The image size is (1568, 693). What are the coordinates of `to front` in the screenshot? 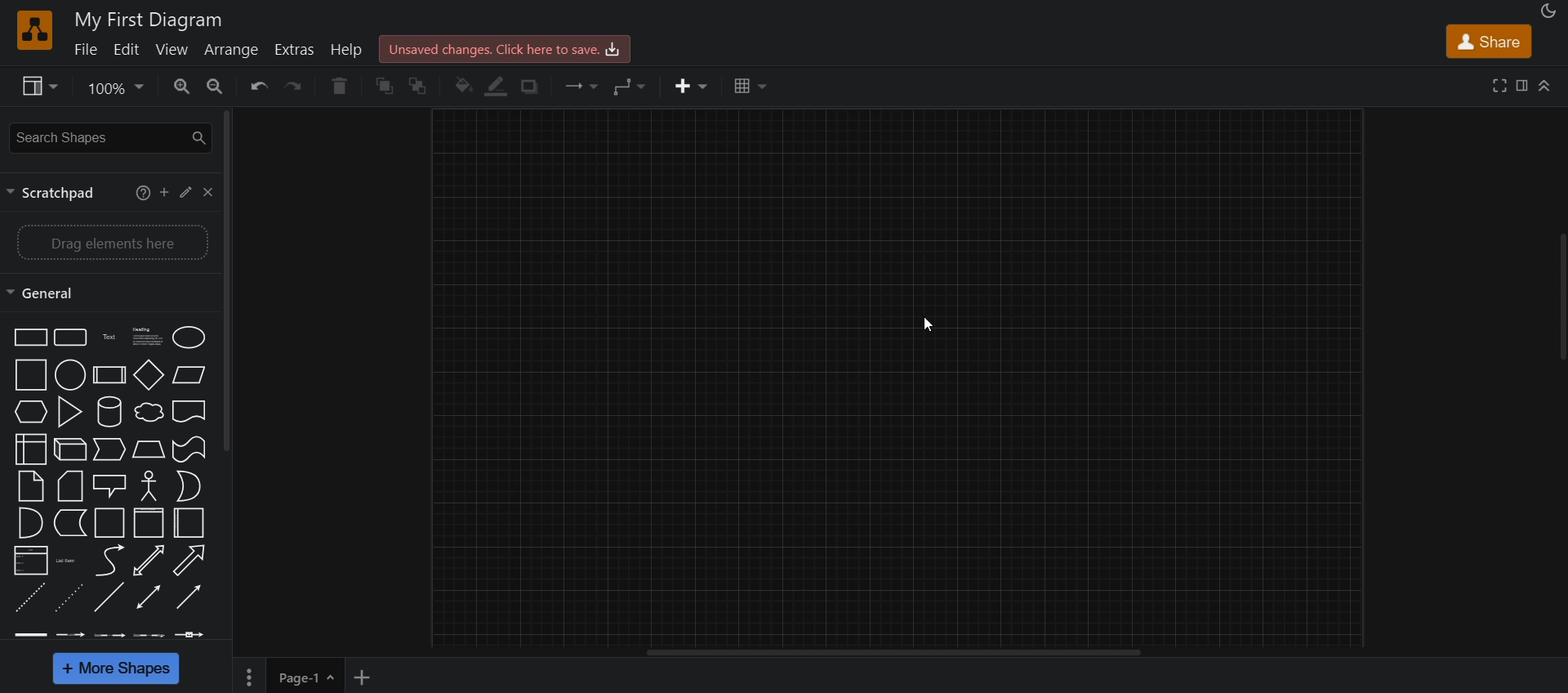 It's located at (387, 84).